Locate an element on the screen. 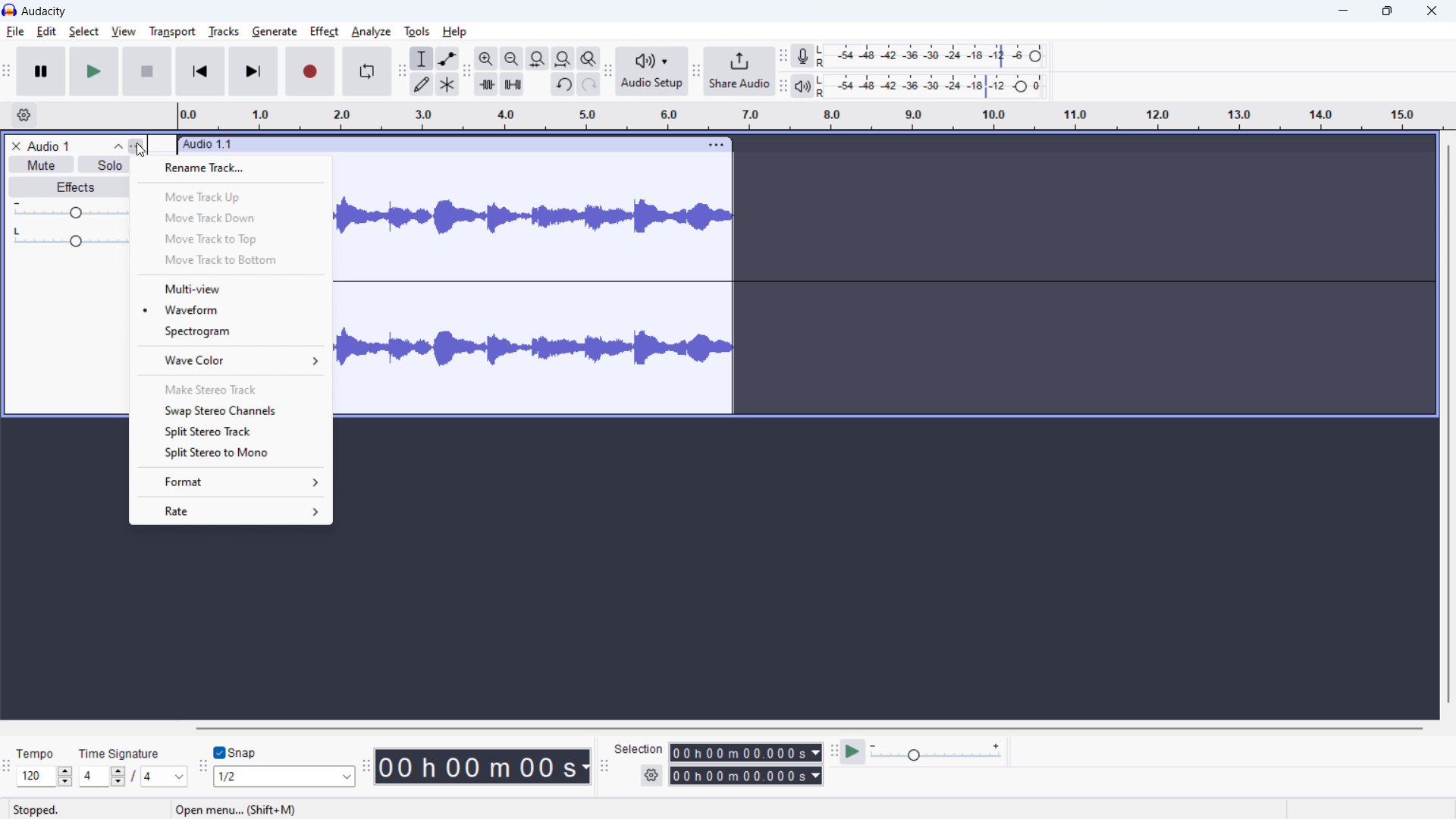  waveform is located at coordinates (231, 309).